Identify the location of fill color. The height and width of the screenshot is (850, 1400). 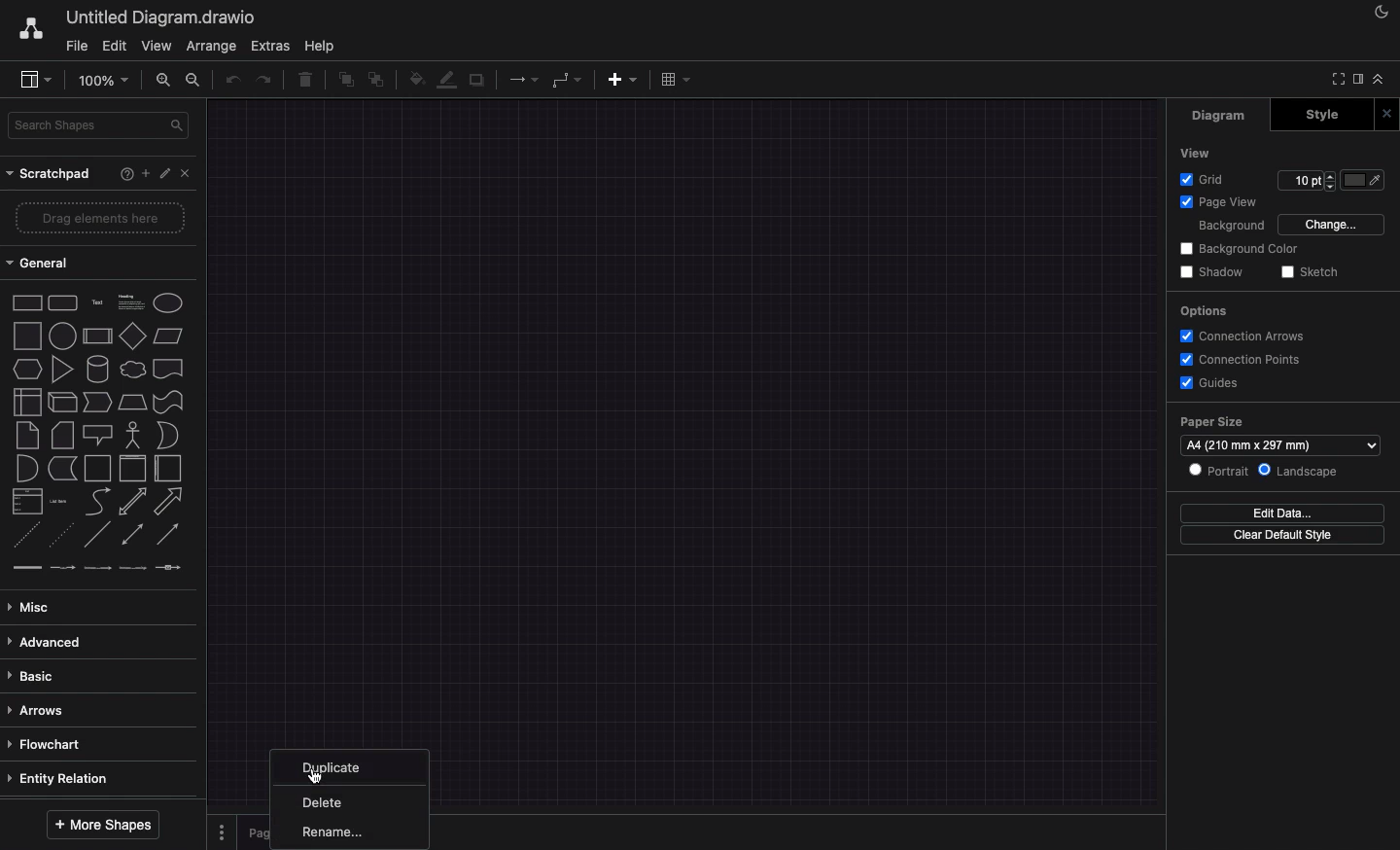
(1362, 179).